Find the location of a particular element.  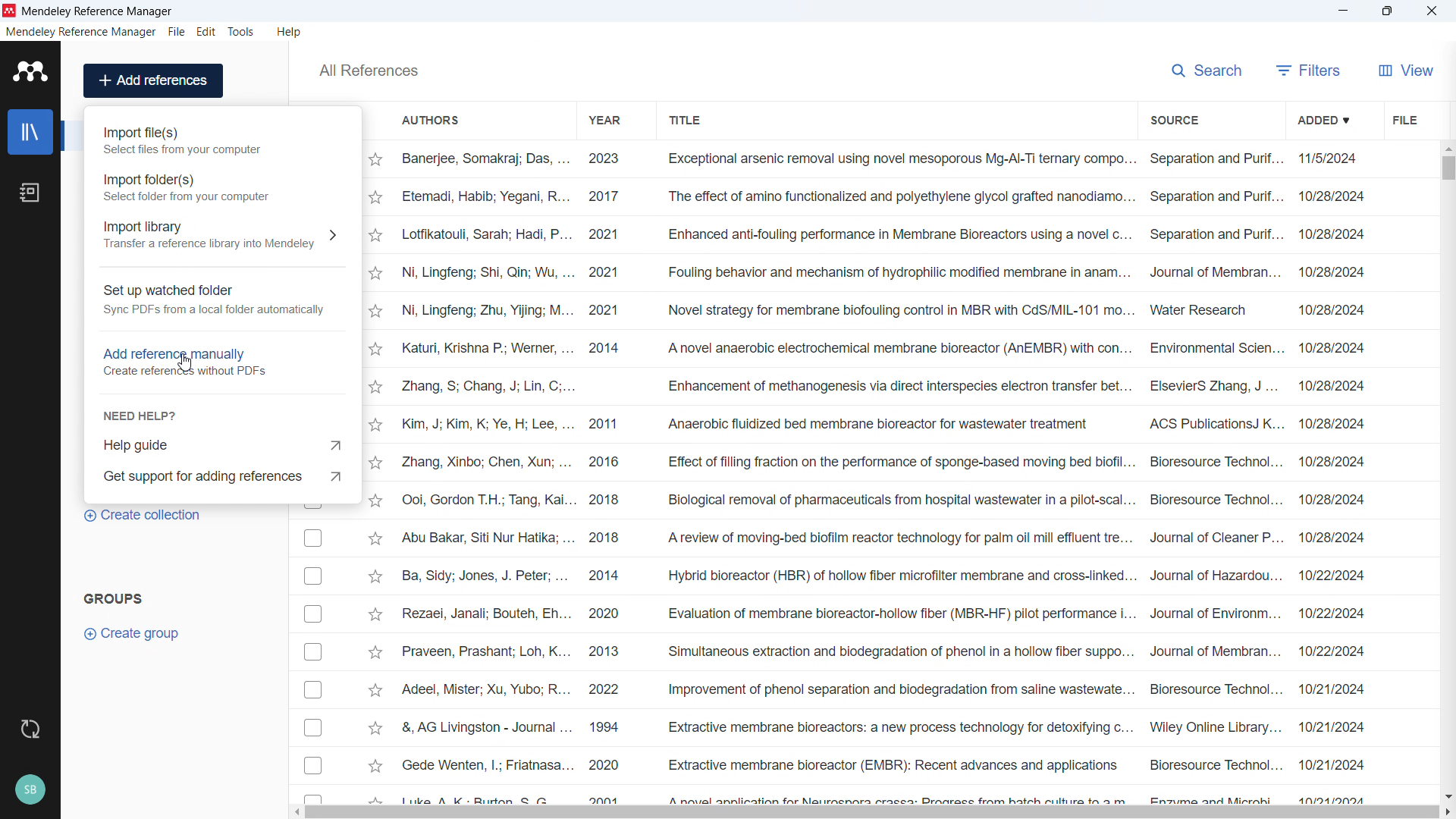

search  is located at coordinates (1209, 68).